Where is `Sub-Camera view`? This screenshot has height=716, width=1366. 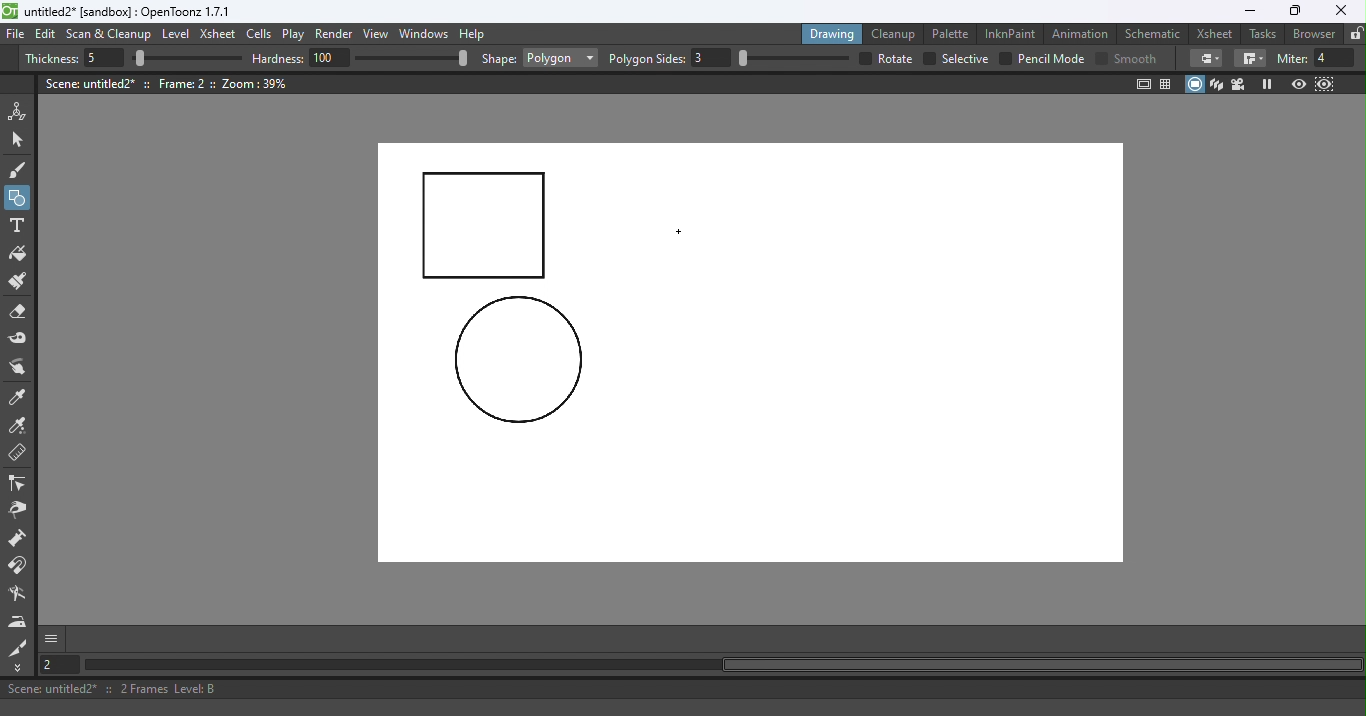
Sub-Camera view is located at coordinates (1326, 84).